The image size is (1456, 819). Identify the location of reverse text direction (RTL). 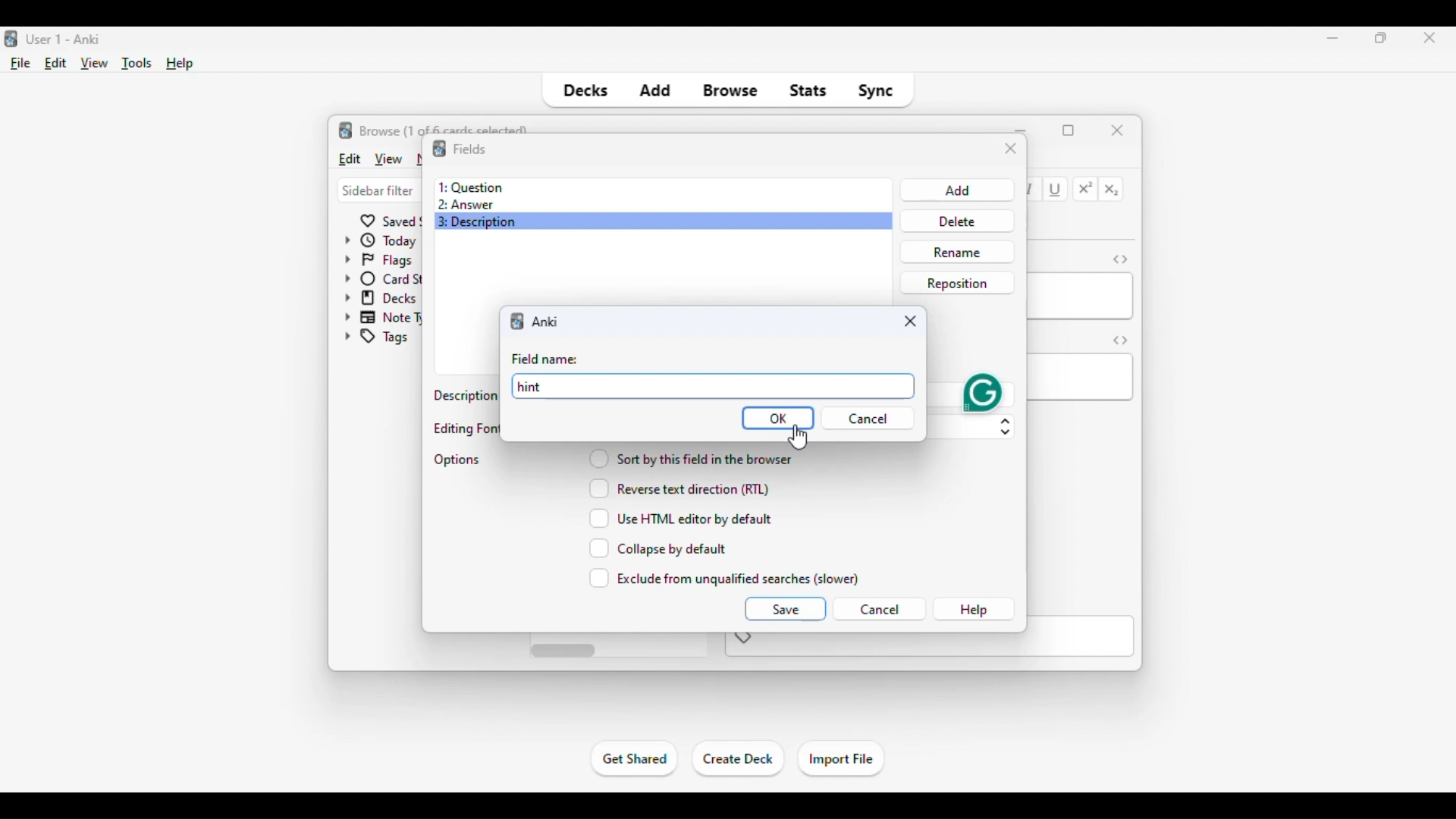
(679, 488).